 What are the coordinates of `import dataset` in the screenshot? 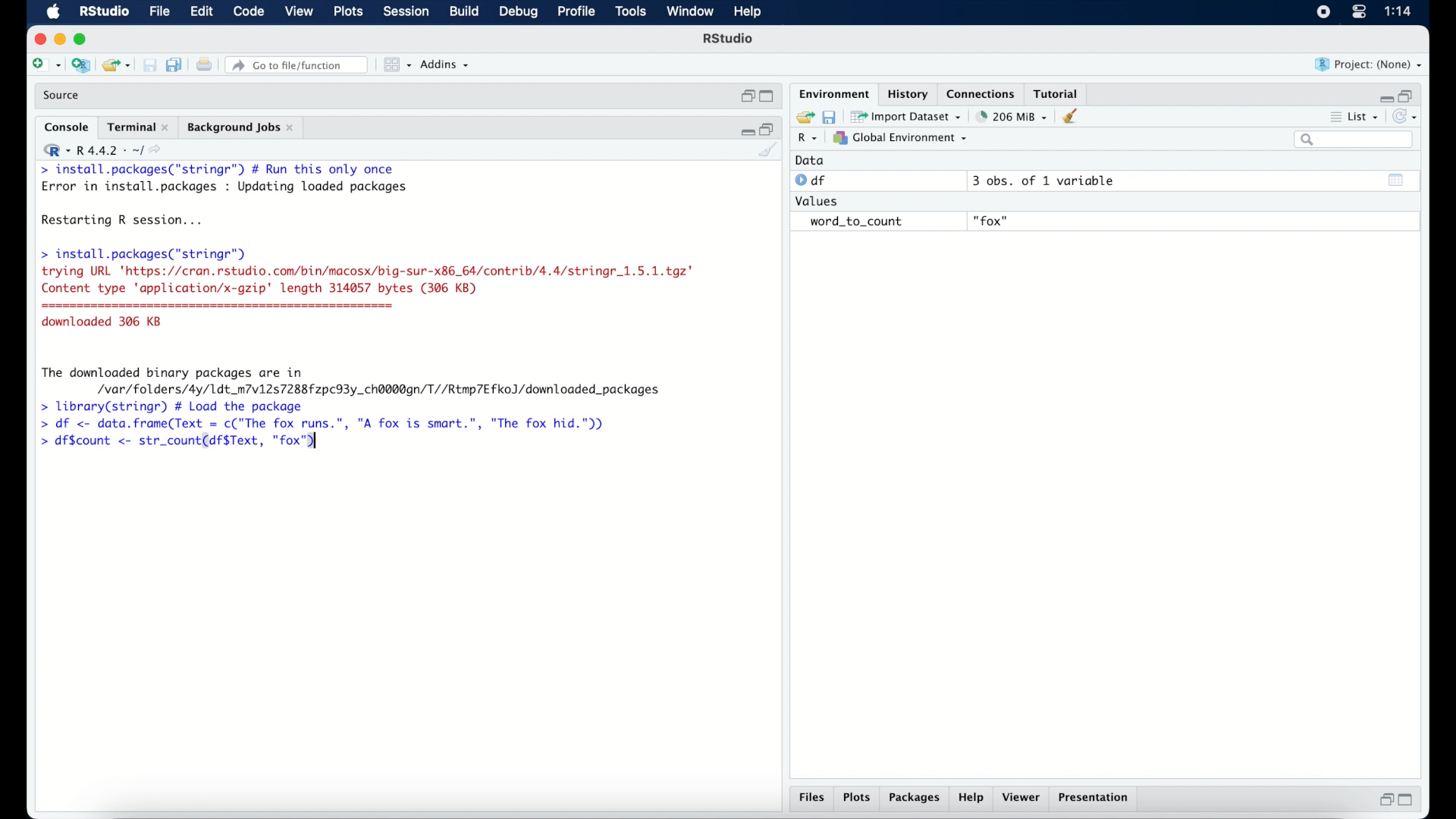 It's located at (906, 117).